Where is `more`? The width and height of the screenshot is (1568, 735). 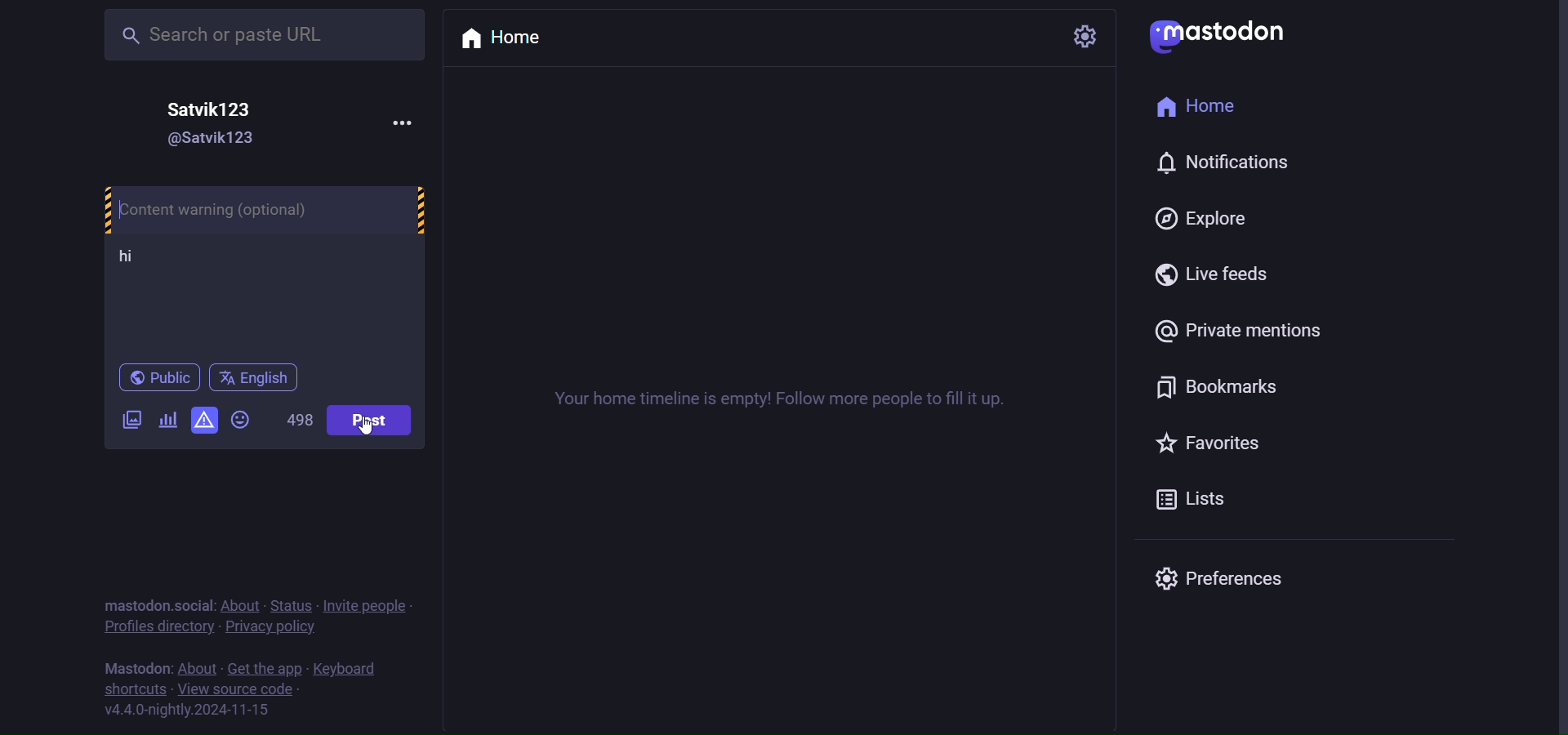
more is located at coordinates (393, 121).